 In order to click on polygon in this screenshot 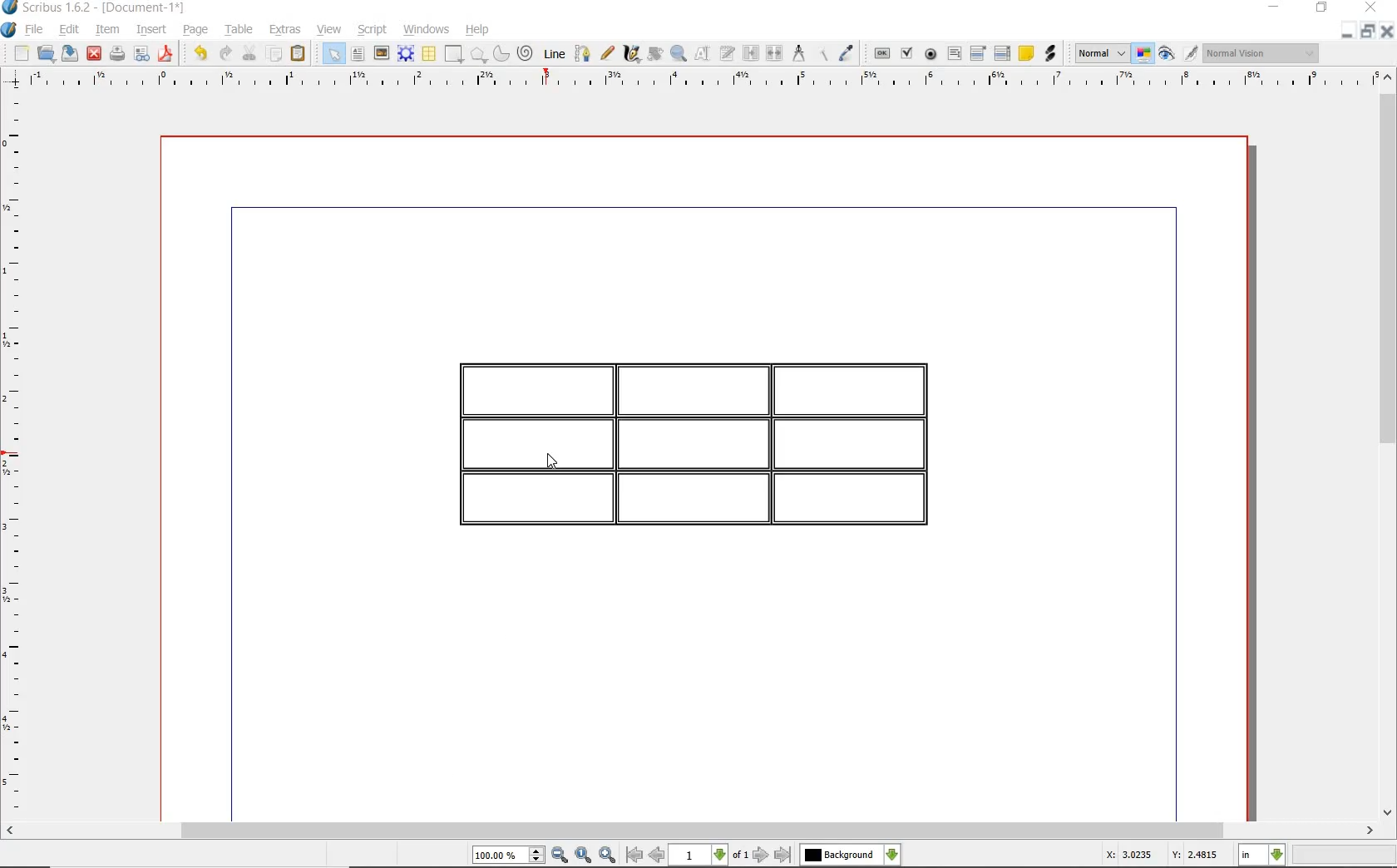, I will do `click(479, 55)`.